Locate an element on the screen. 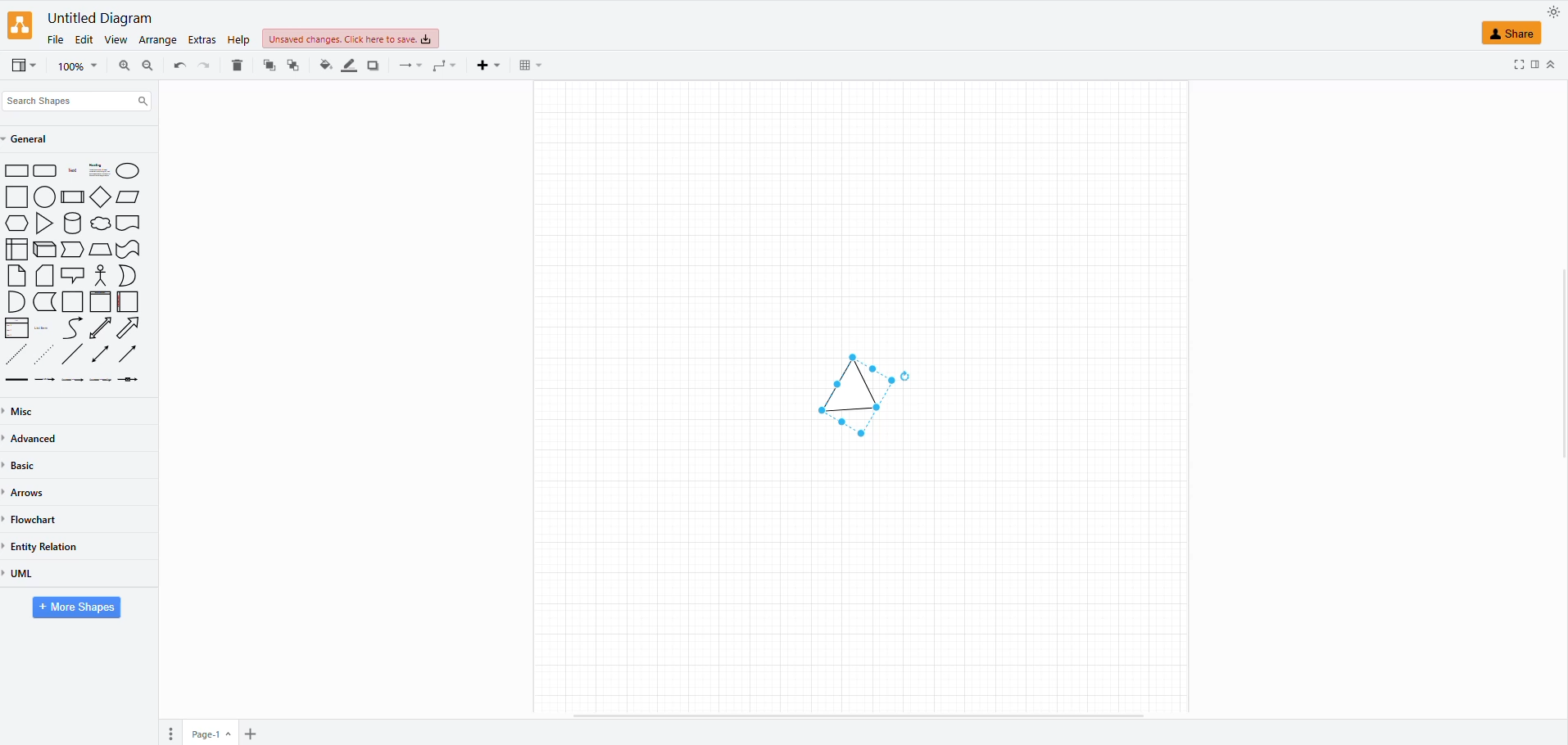 The height and width of the screenshot is (745, 1568). Bordered Arrow is located at coordinates (129, 328).